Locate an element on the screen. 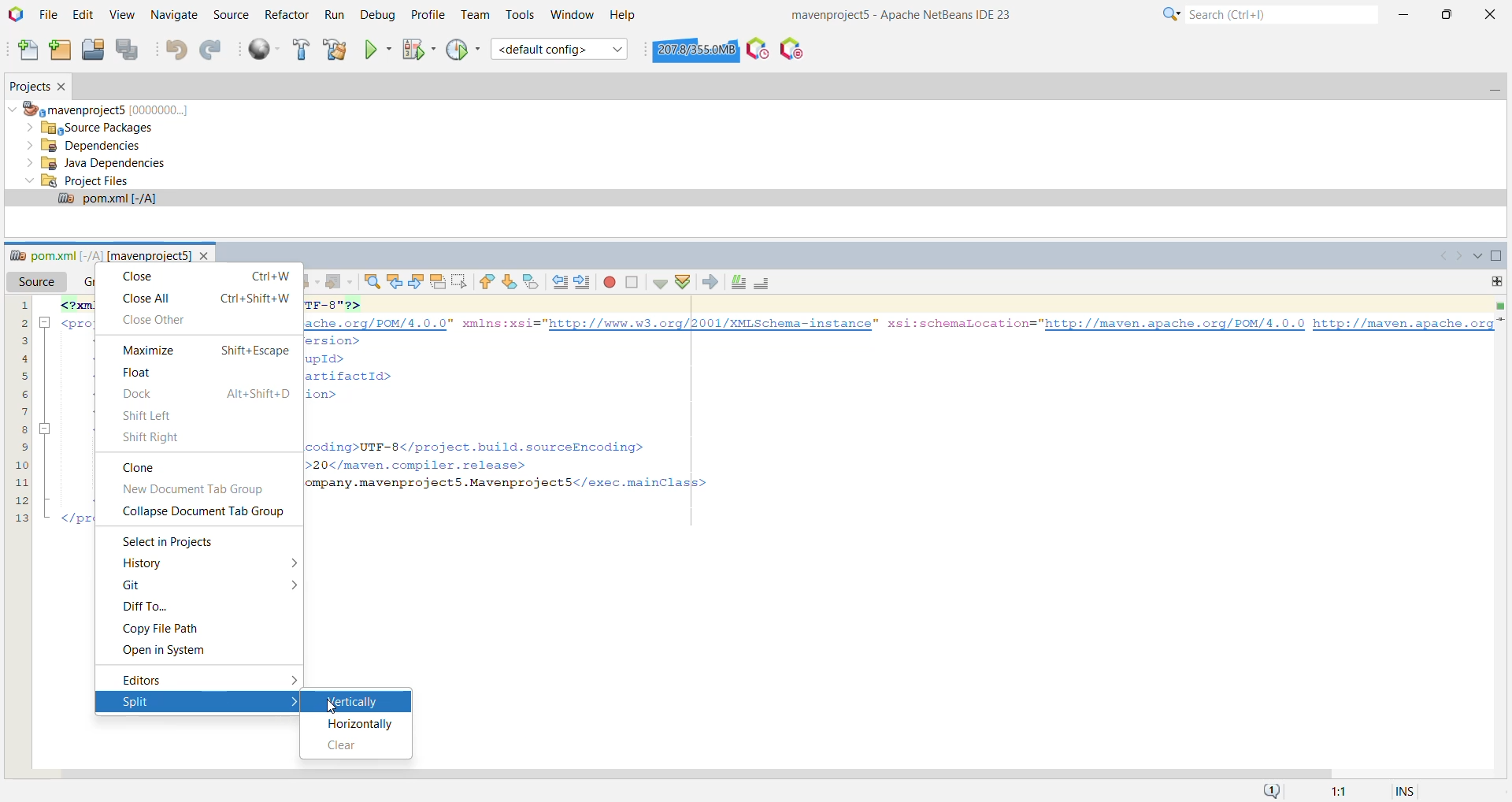 The image size is (1512, 802). Close is located at coordinates (205, 277).